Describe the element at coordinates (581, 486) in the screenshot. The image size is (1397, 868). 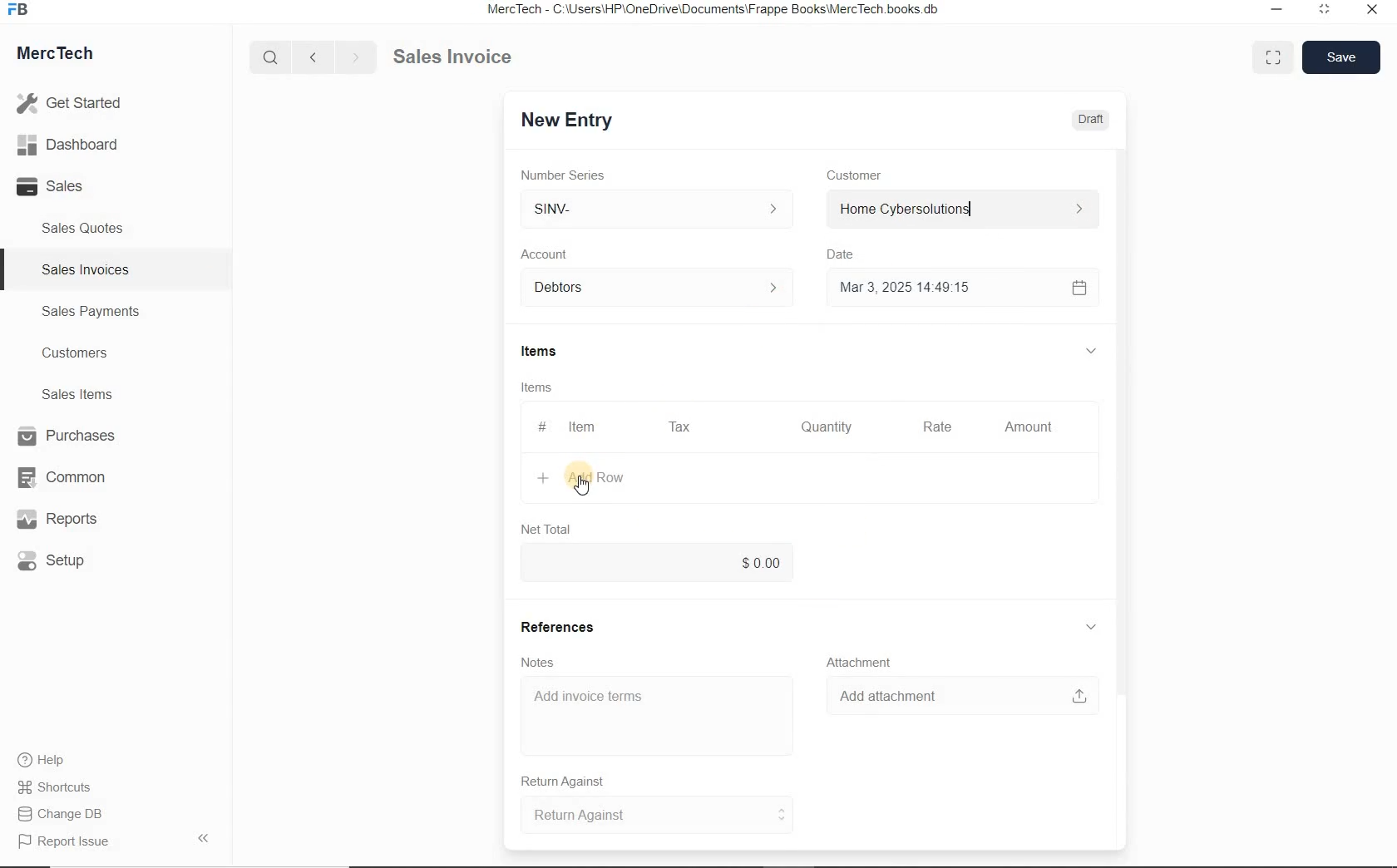
I see `cursor` at that location.